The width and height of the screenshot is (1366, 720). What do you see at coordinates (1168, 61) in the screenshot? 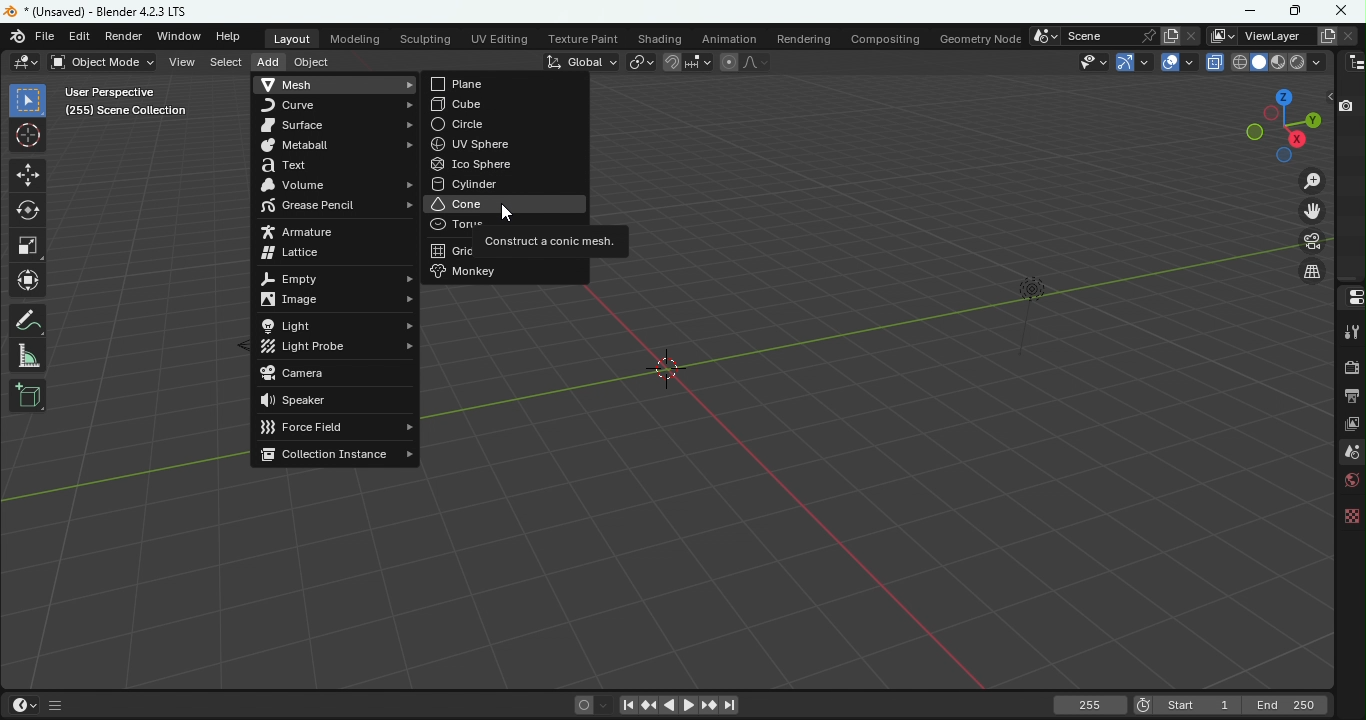
I see `Show overlays` at bounding box center [1168, 61].